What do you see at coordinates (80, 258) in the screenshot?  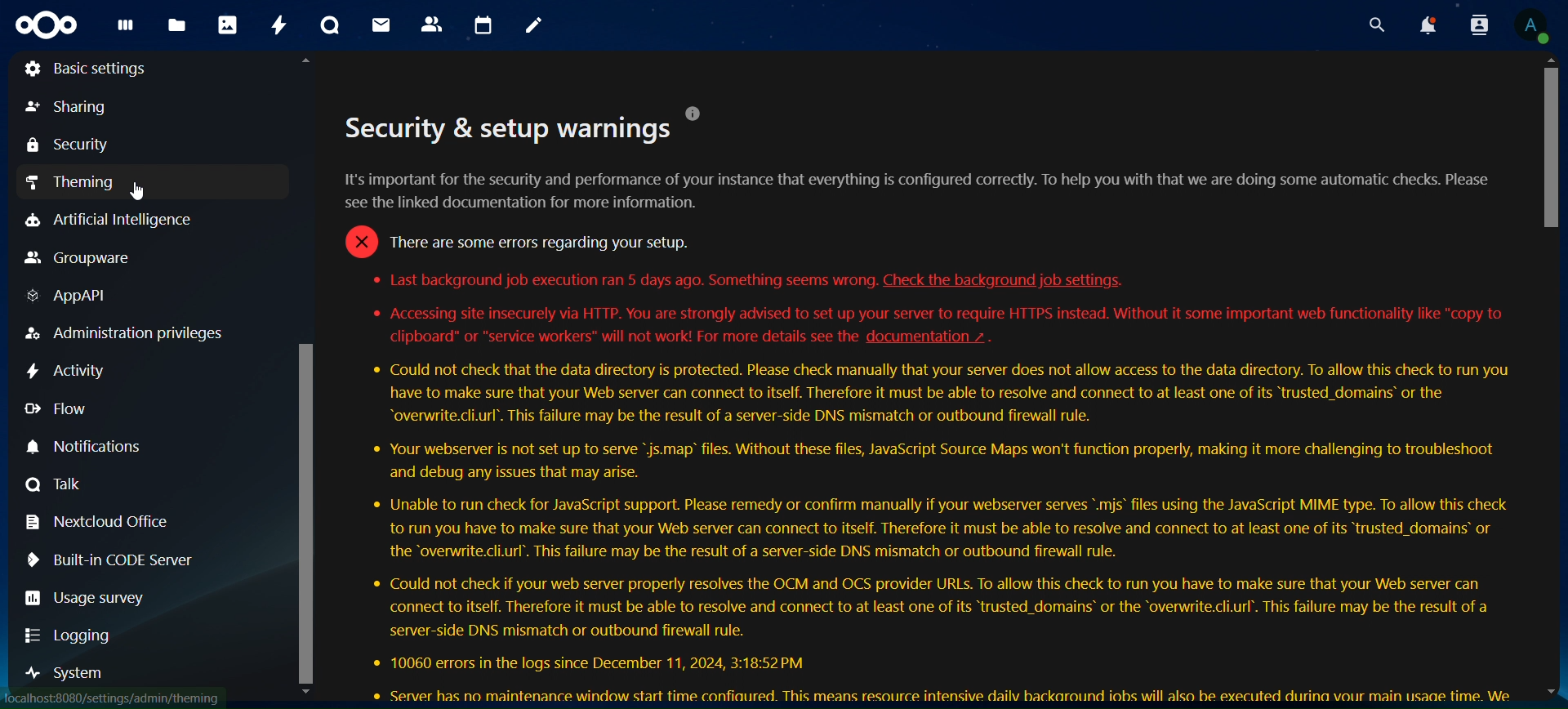 I see `groupware` at bounding box center [80, 258].